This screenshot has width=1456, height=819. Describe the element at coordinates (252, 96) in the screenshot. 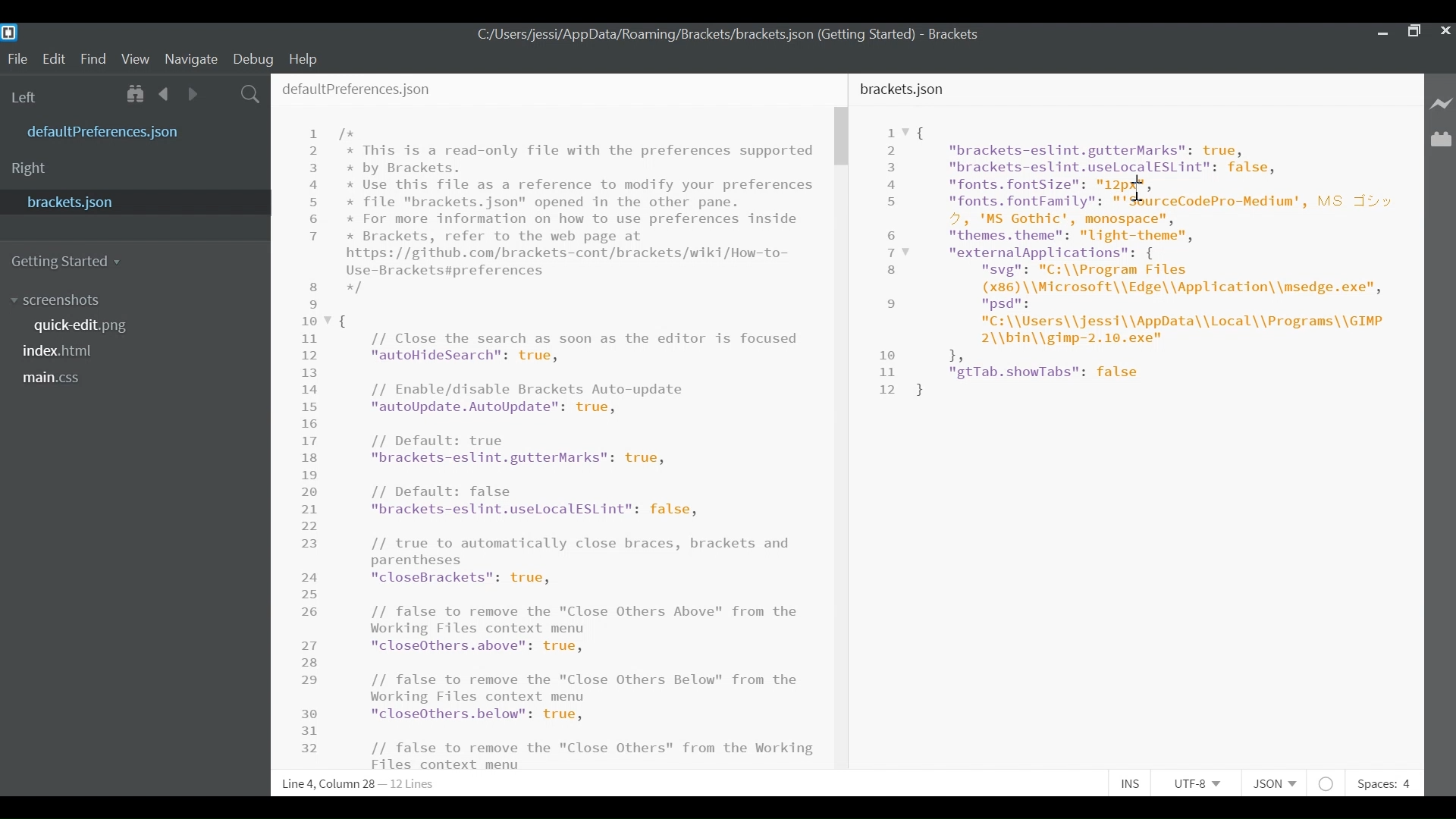

I see `Find in Files` at that location.